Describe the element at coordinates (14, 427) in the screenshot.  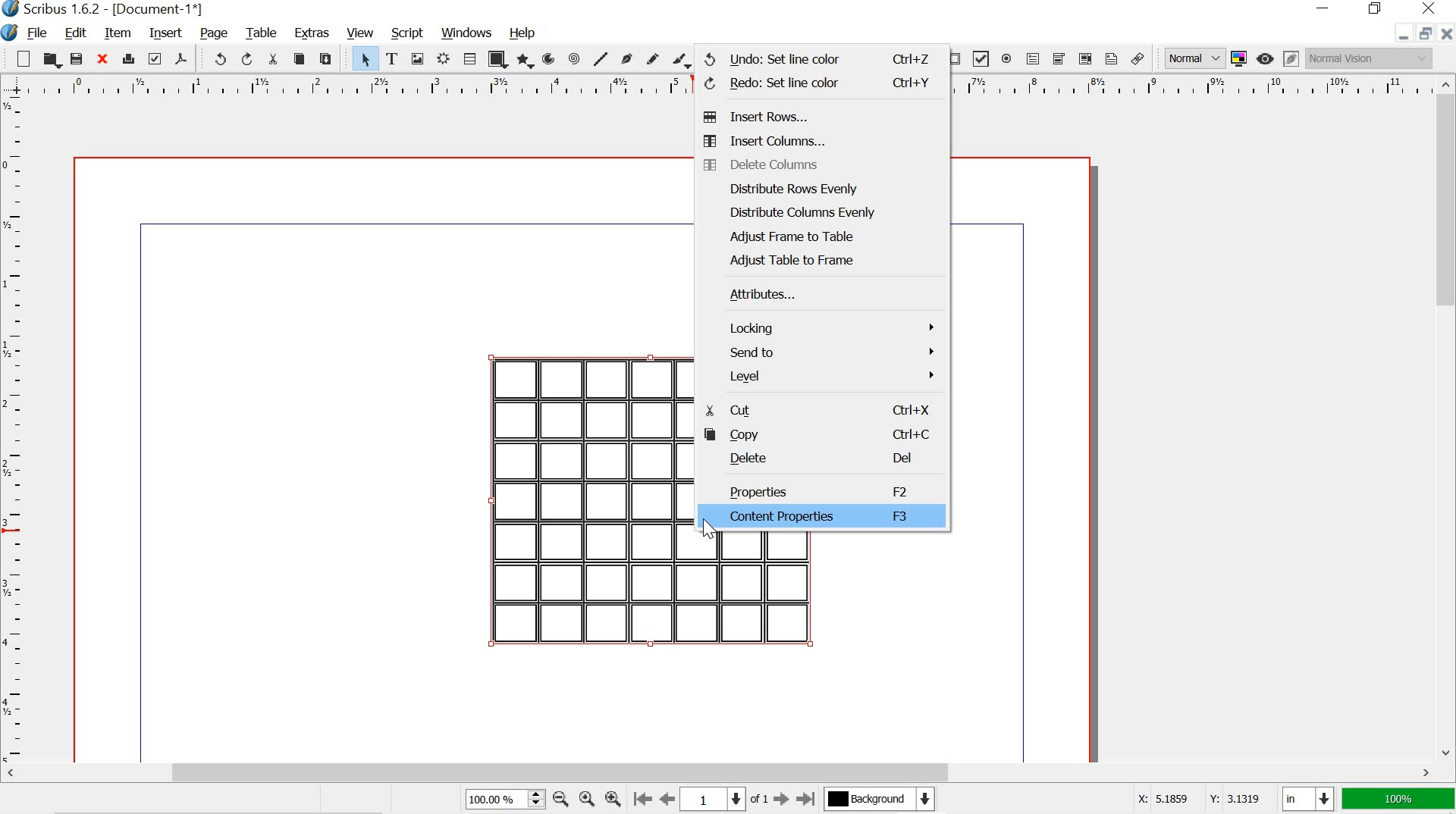
I see `ruler` at that location.